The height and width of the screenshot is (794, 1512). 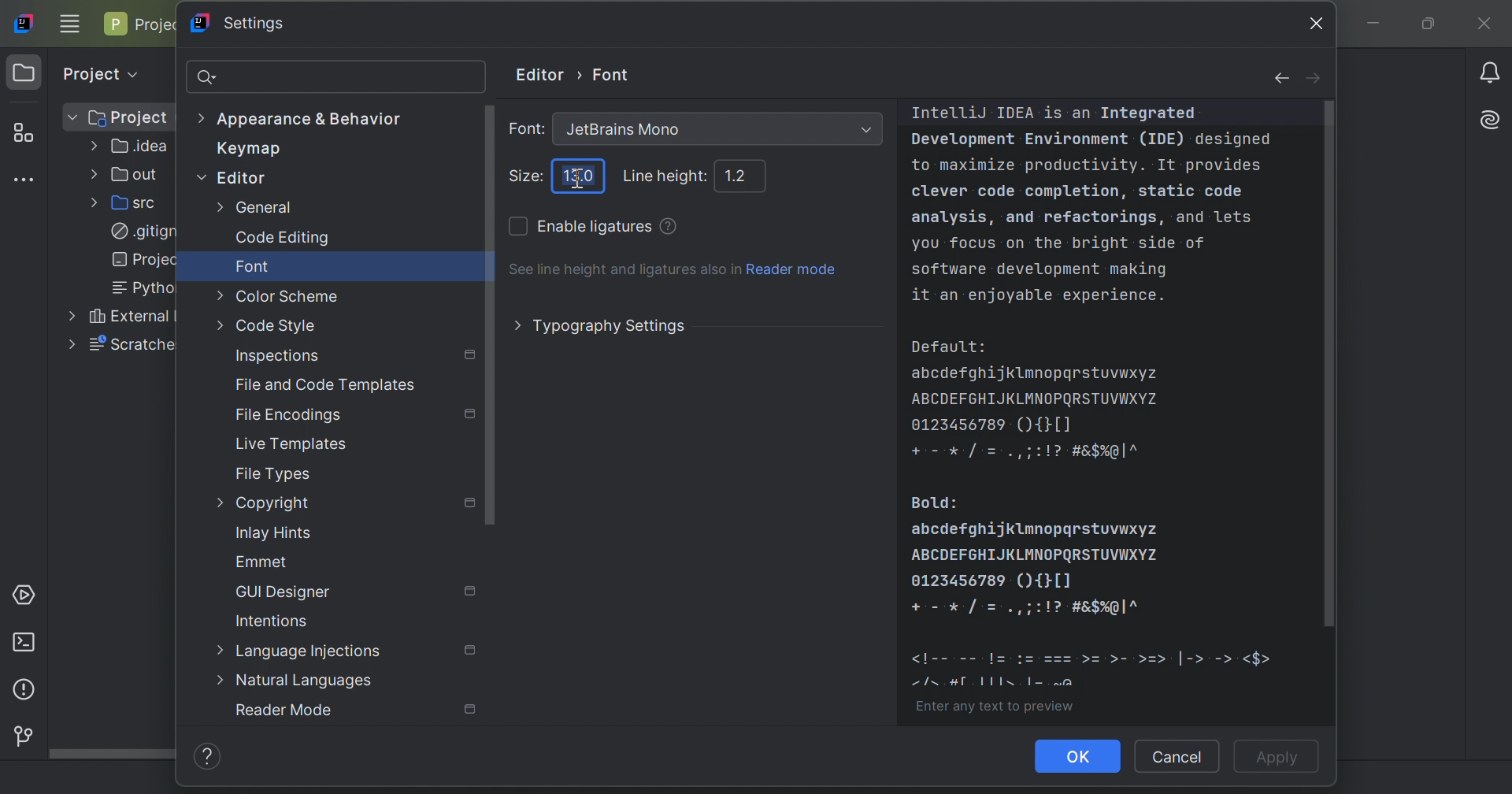 What do you see at coordinates (1281, 759) in the screenshot?
I see `Apply` at bounding box center [1281, 759].